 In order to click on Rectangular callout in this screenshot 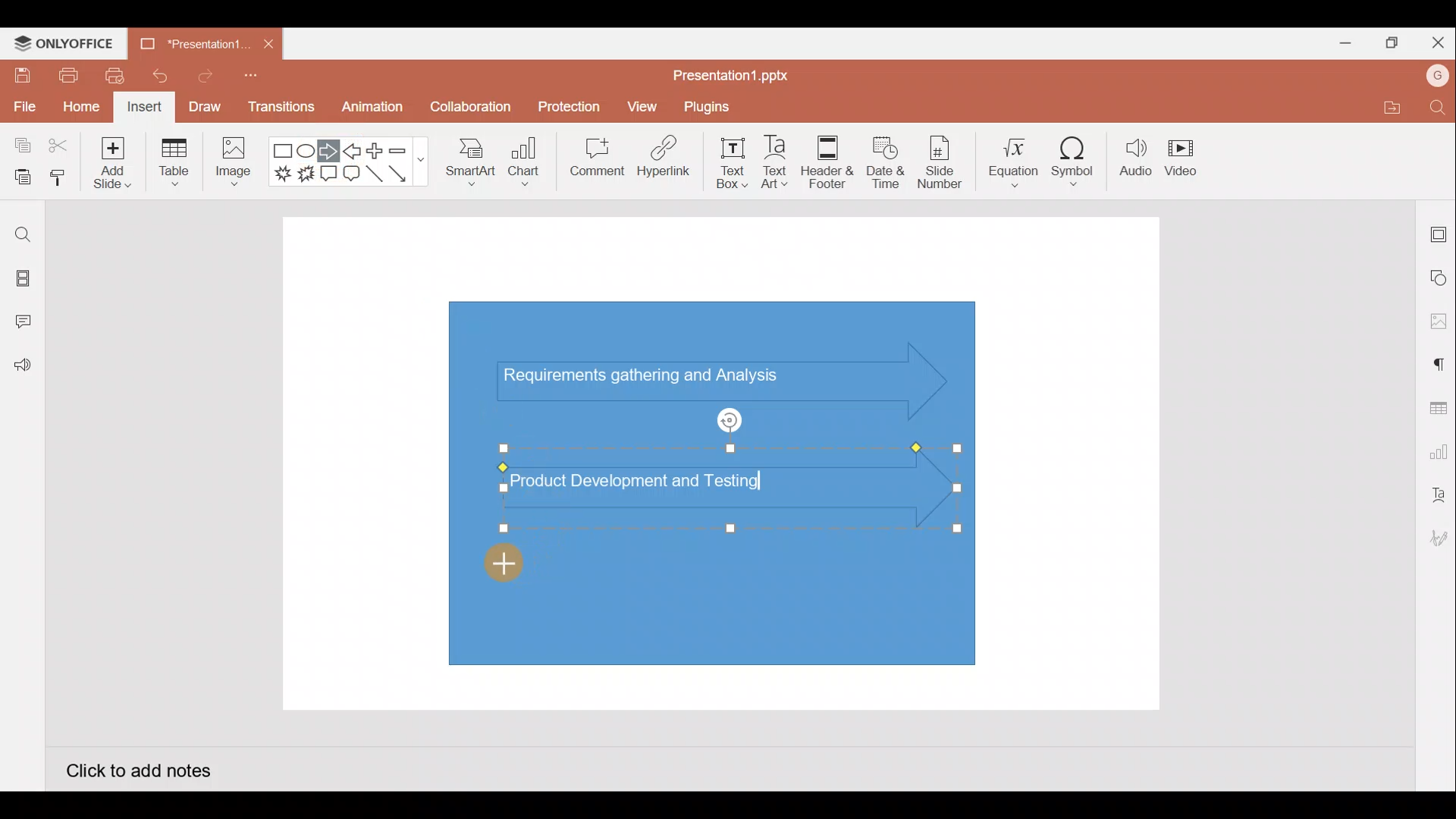, I will do `click(329, 174)`.